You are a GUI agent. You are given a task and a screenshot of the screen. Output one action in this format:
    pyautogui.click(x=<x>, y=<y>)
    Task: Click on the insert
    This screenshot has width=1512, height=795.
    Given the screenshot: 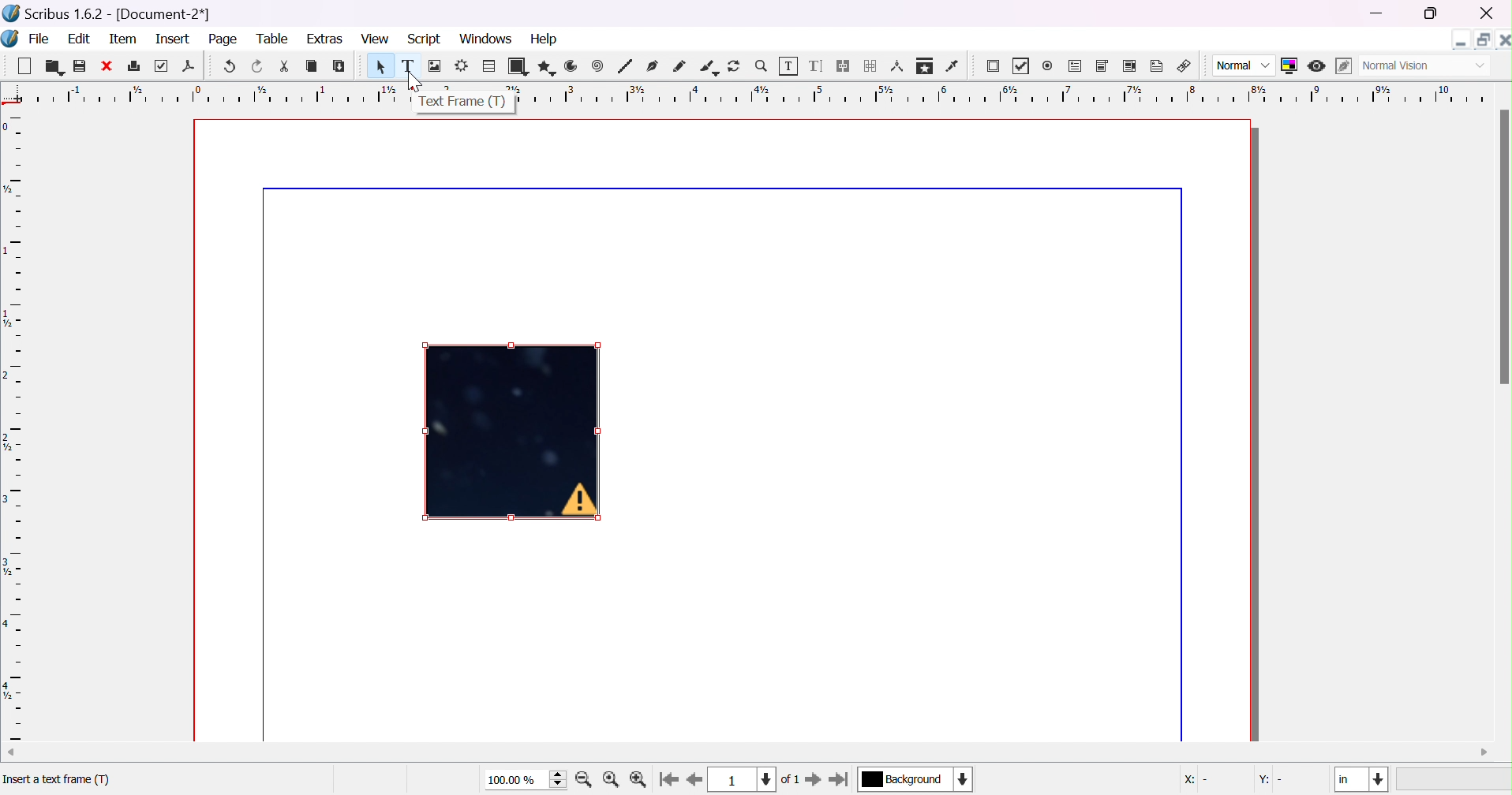 What is the action you would take?
    pyautogui.click(x=175, y=39)
    